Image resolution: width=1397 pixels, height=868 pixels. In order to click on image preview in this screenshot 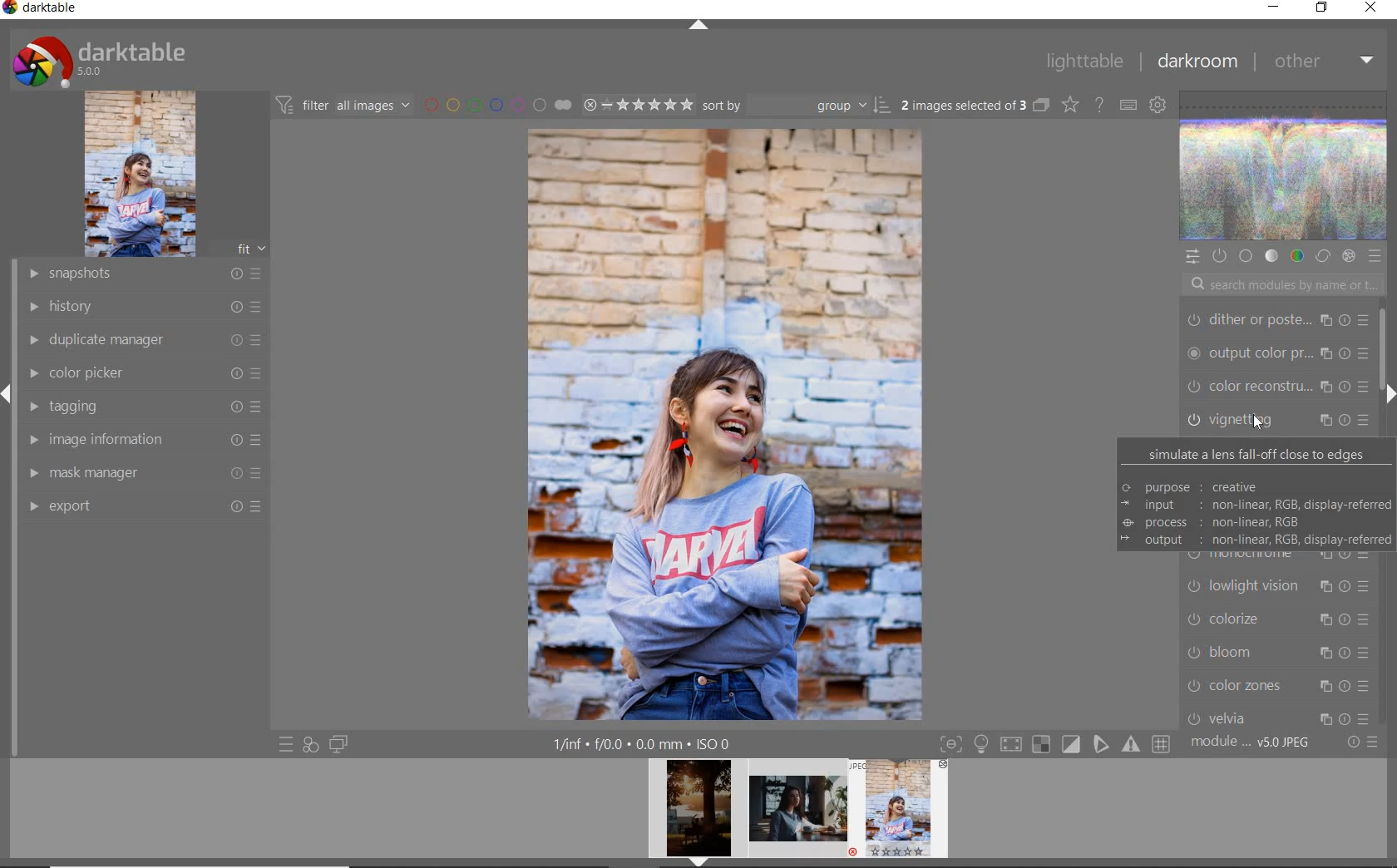, I will do `click(694, 813)`.